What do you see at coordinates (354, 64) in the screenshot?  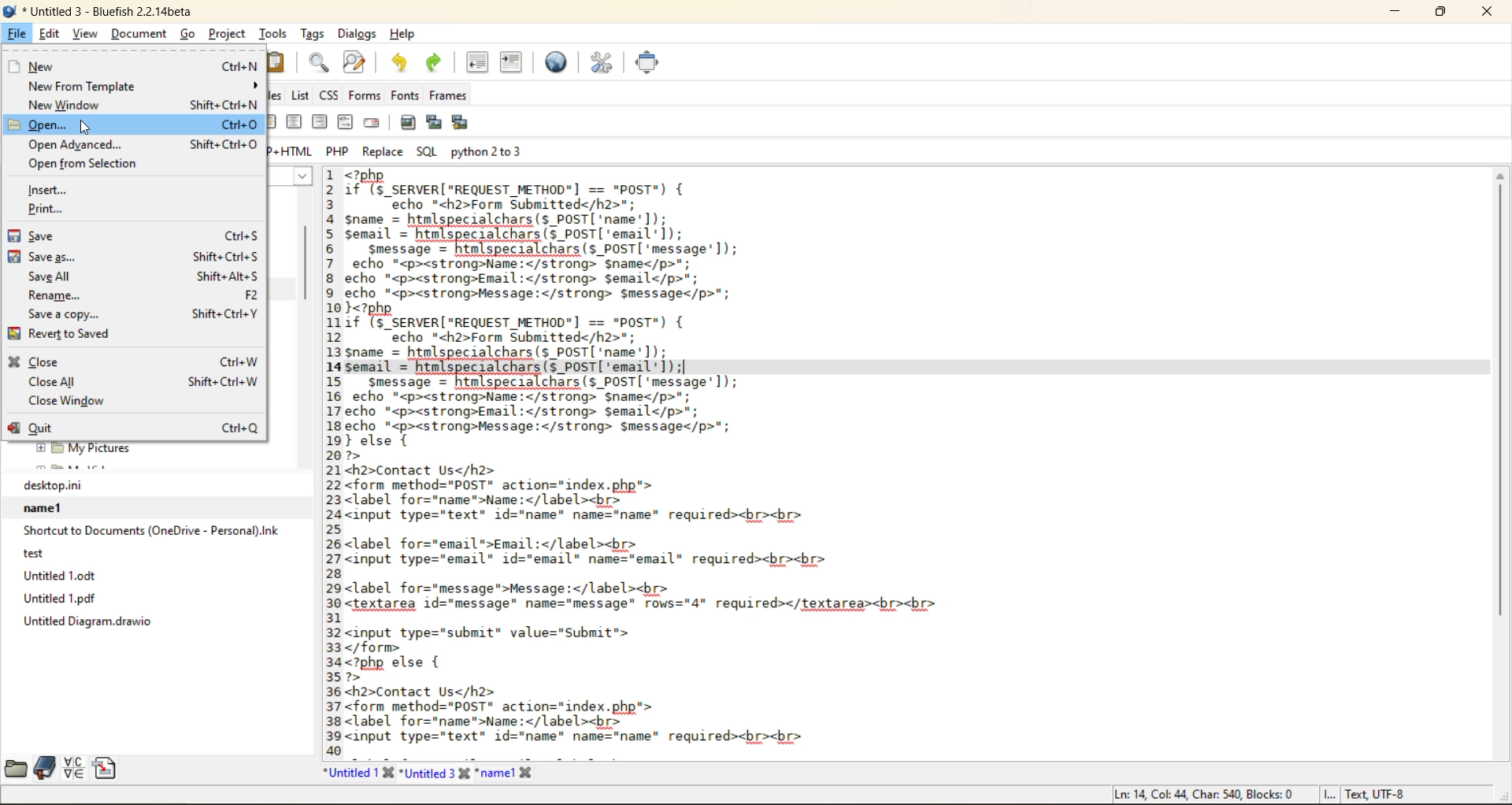 I see `find and replace` at bounding box center [354, 64].